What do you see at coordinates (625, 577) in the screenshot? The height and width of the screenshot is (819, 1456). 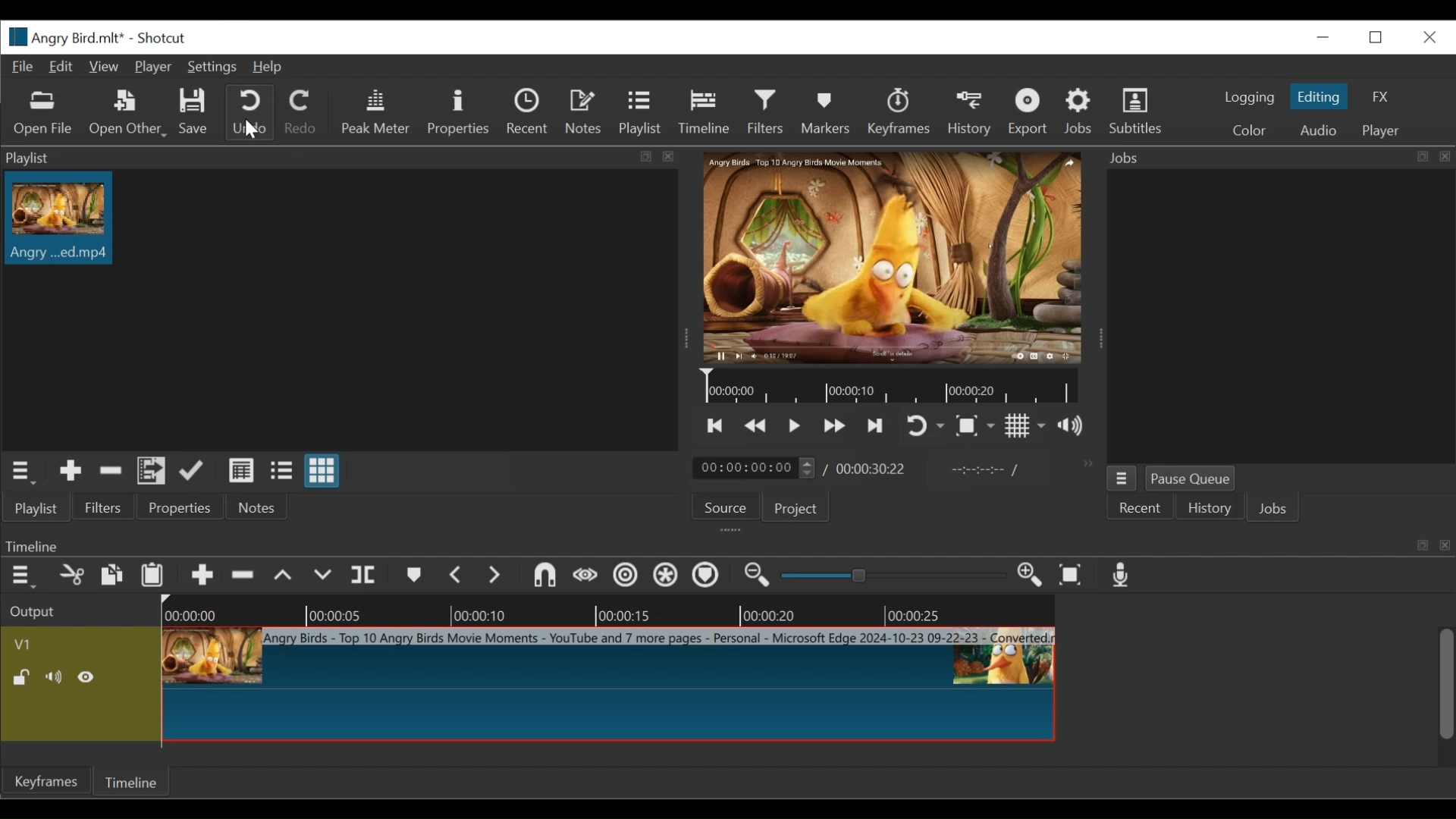 I see `Rippe` at bounding box center [625, 577].